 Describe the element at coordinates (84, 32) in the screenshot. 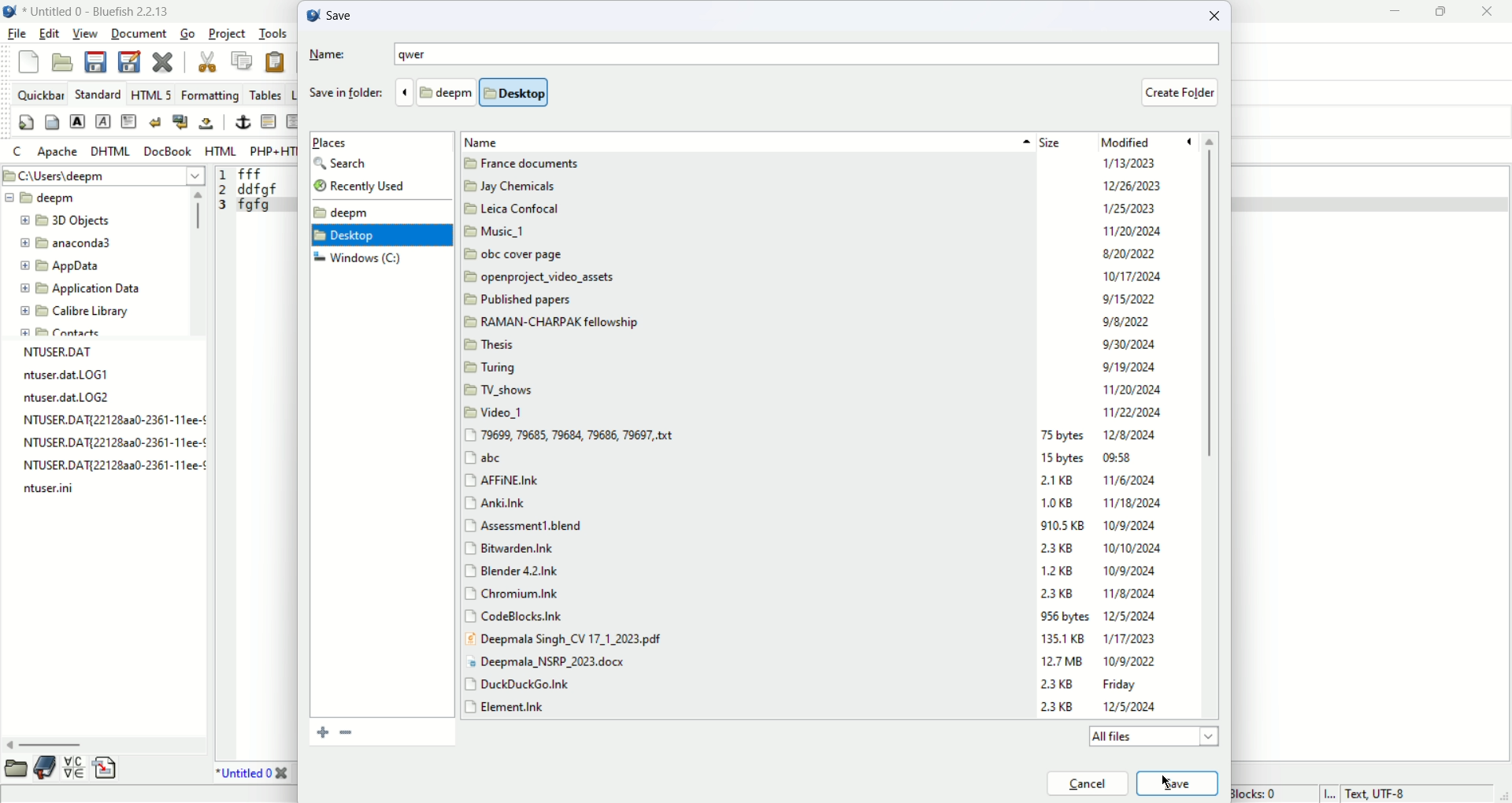

I see `view` at that location.